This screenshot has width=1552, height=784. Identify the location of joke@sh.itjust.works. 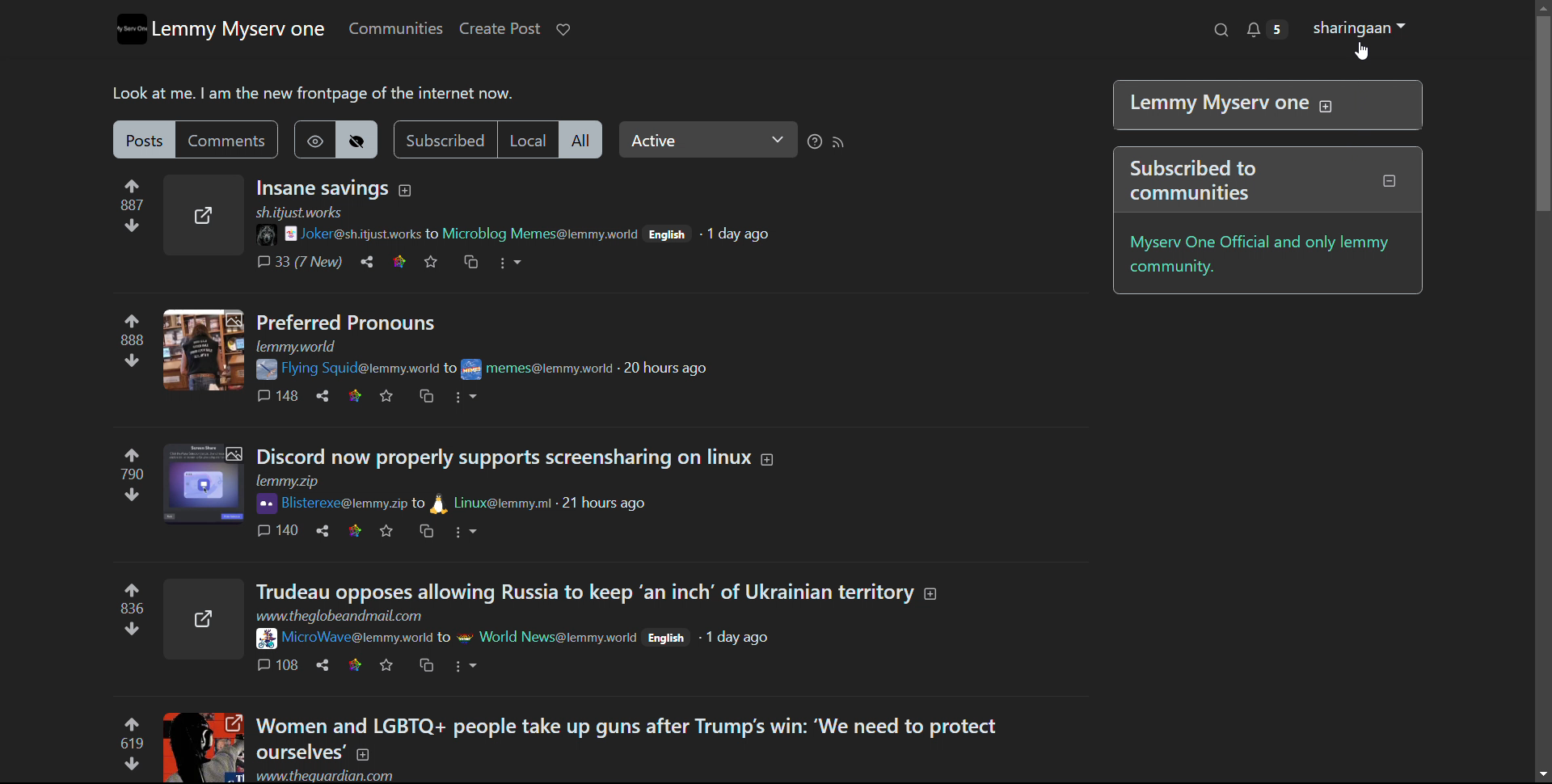
(337, 235).